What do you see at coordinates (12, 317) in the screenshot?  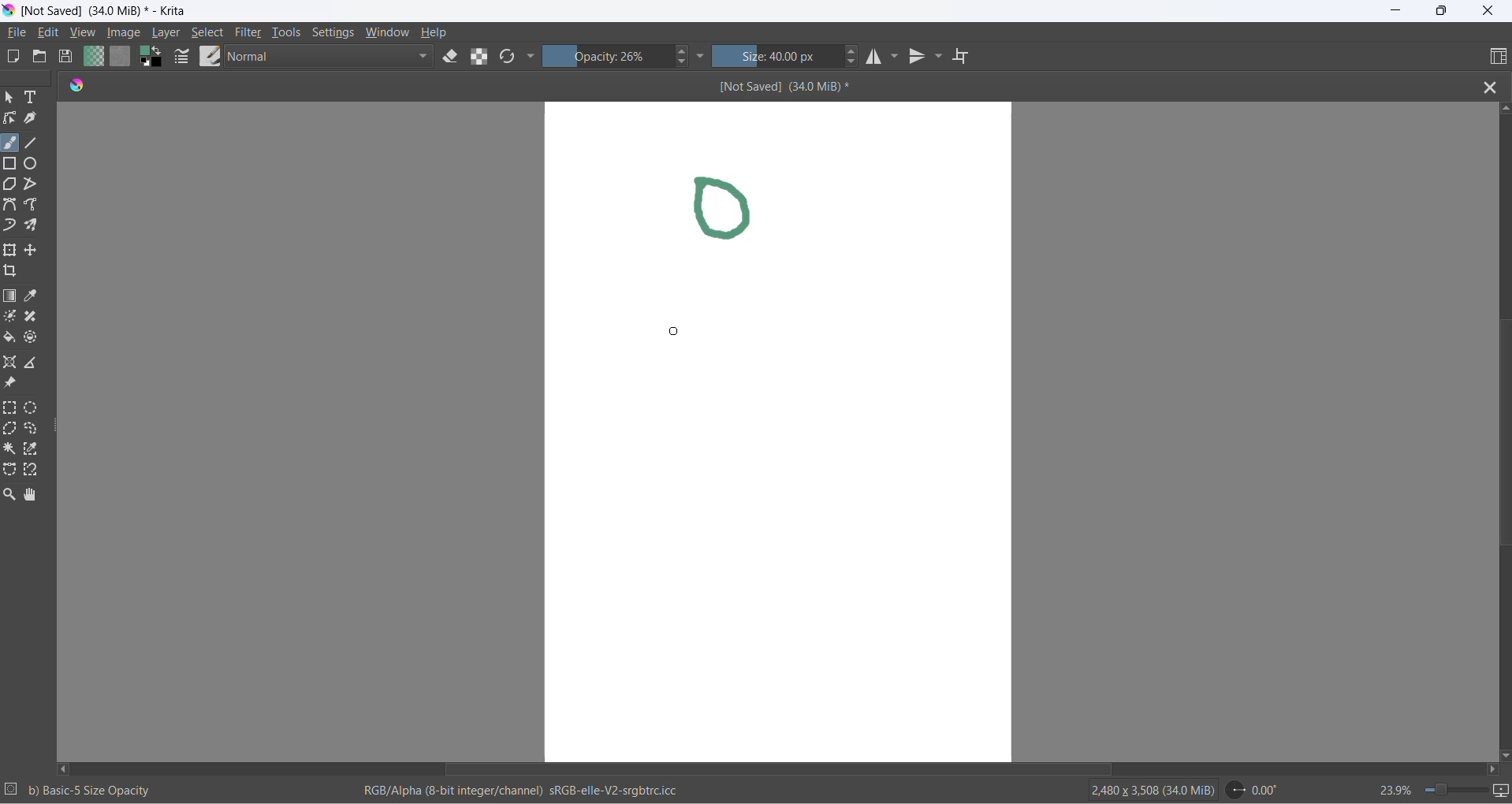 I see `colorize mask tool` at bounding box center [12, 317].